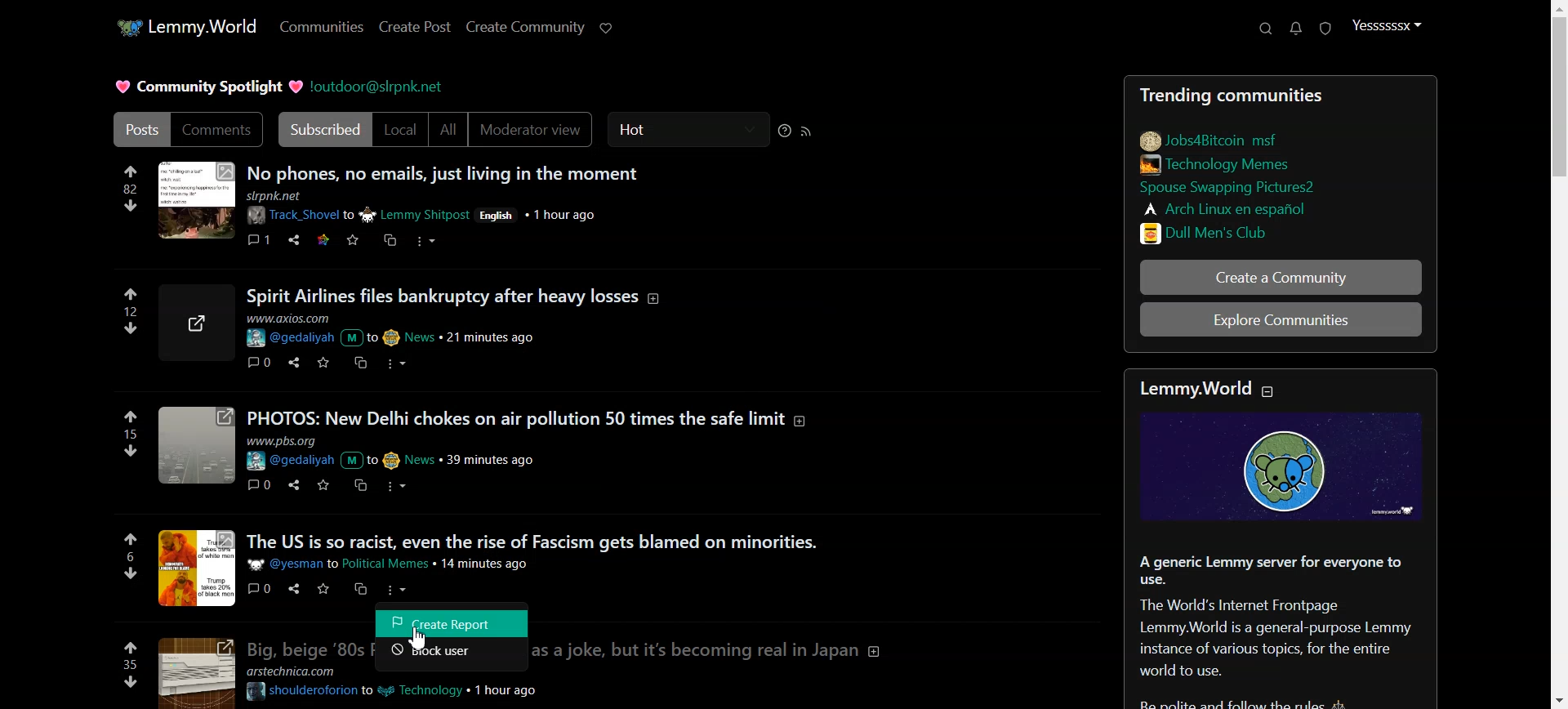  Describe the element at coordinates (261, 588) in the screenshot. I see `comments` at that location.